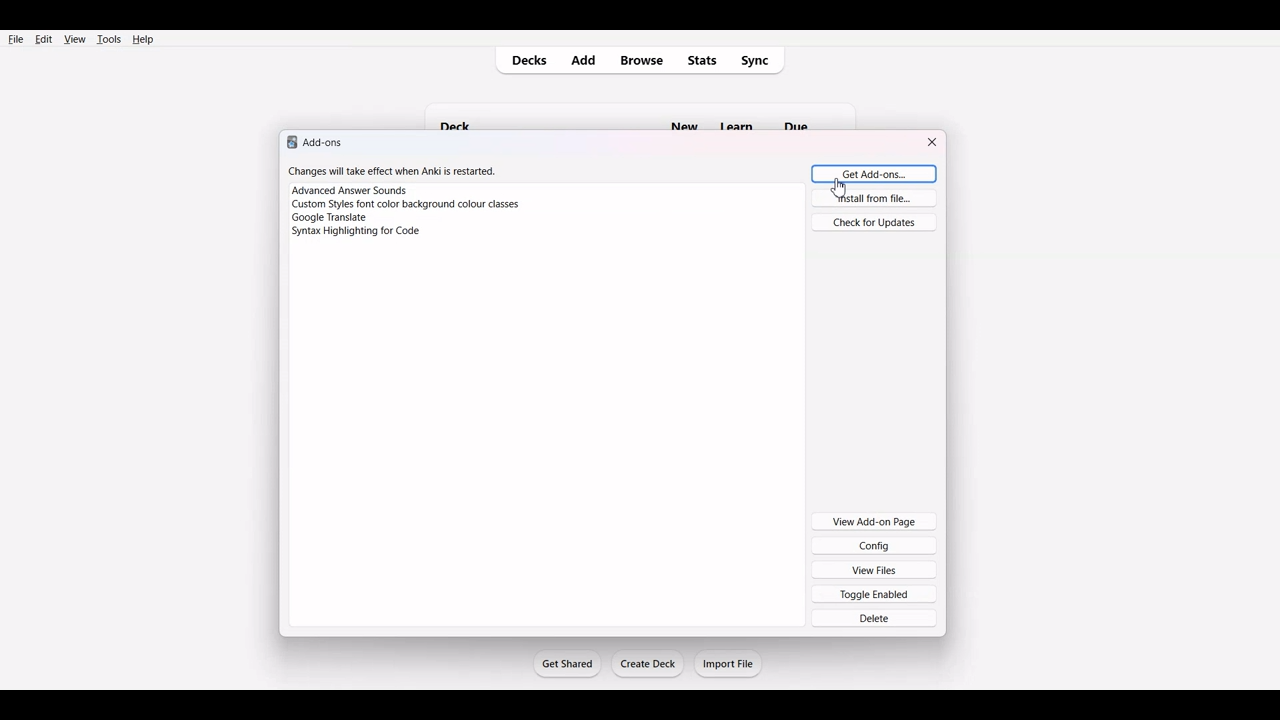 The image size is (1280, 720). I want to click on Check for Updates, so click(874, 221).